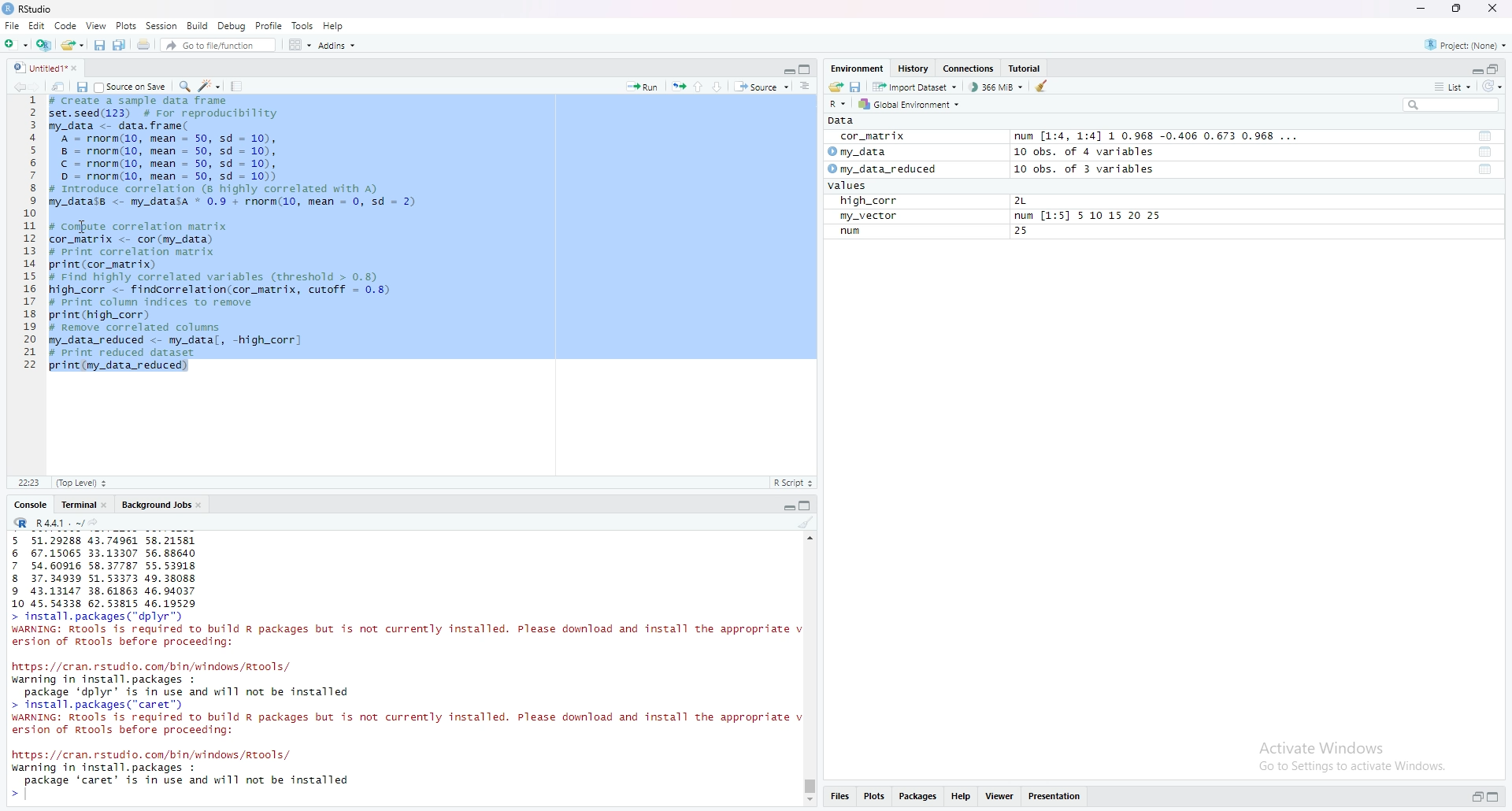 This screenshot has width=1512, height=811. I want to click on Import Dataset , so click(915, 87).